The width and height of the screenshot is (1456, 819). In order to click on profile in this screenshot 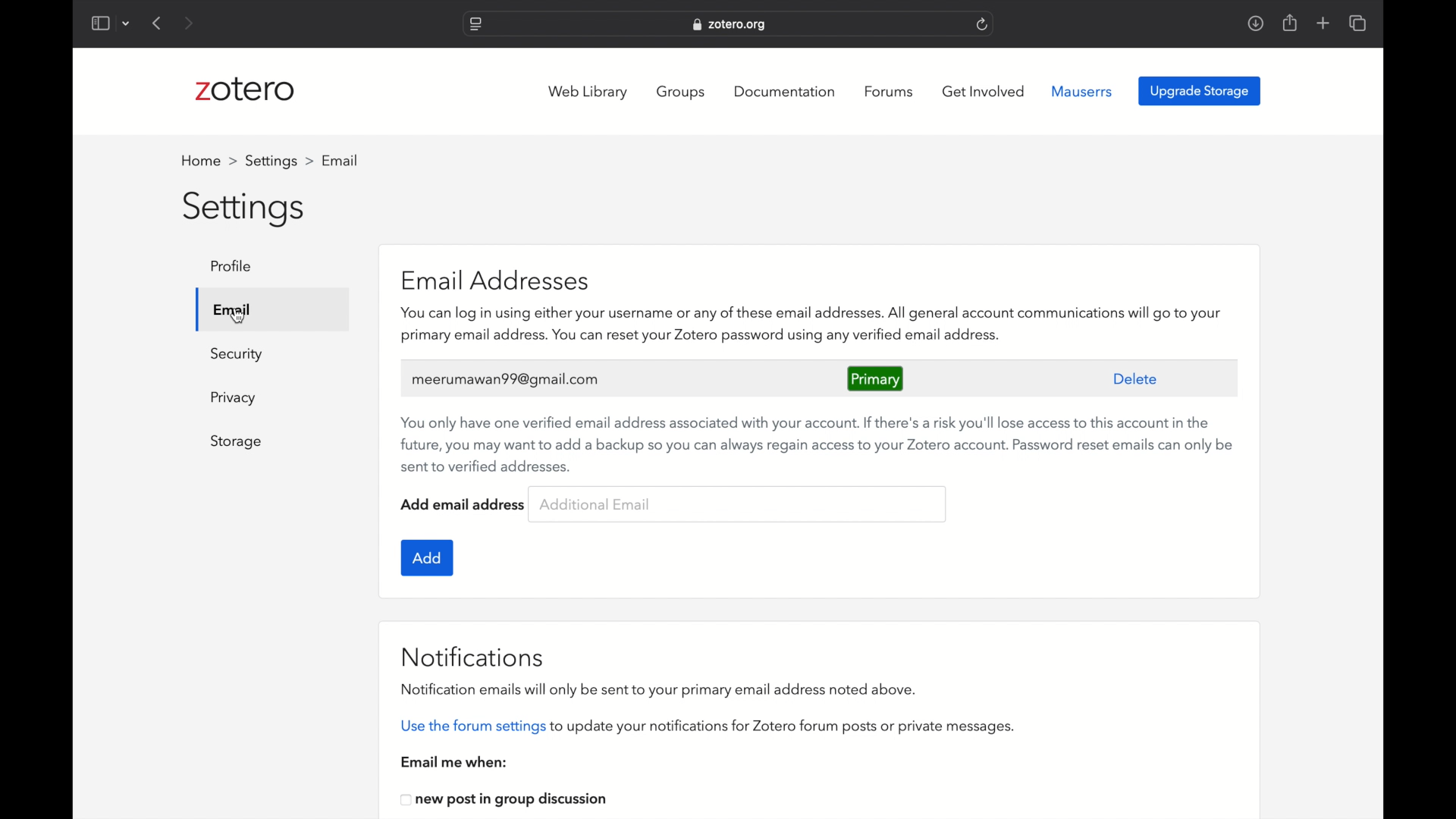, I will do `click(236, 265)`.